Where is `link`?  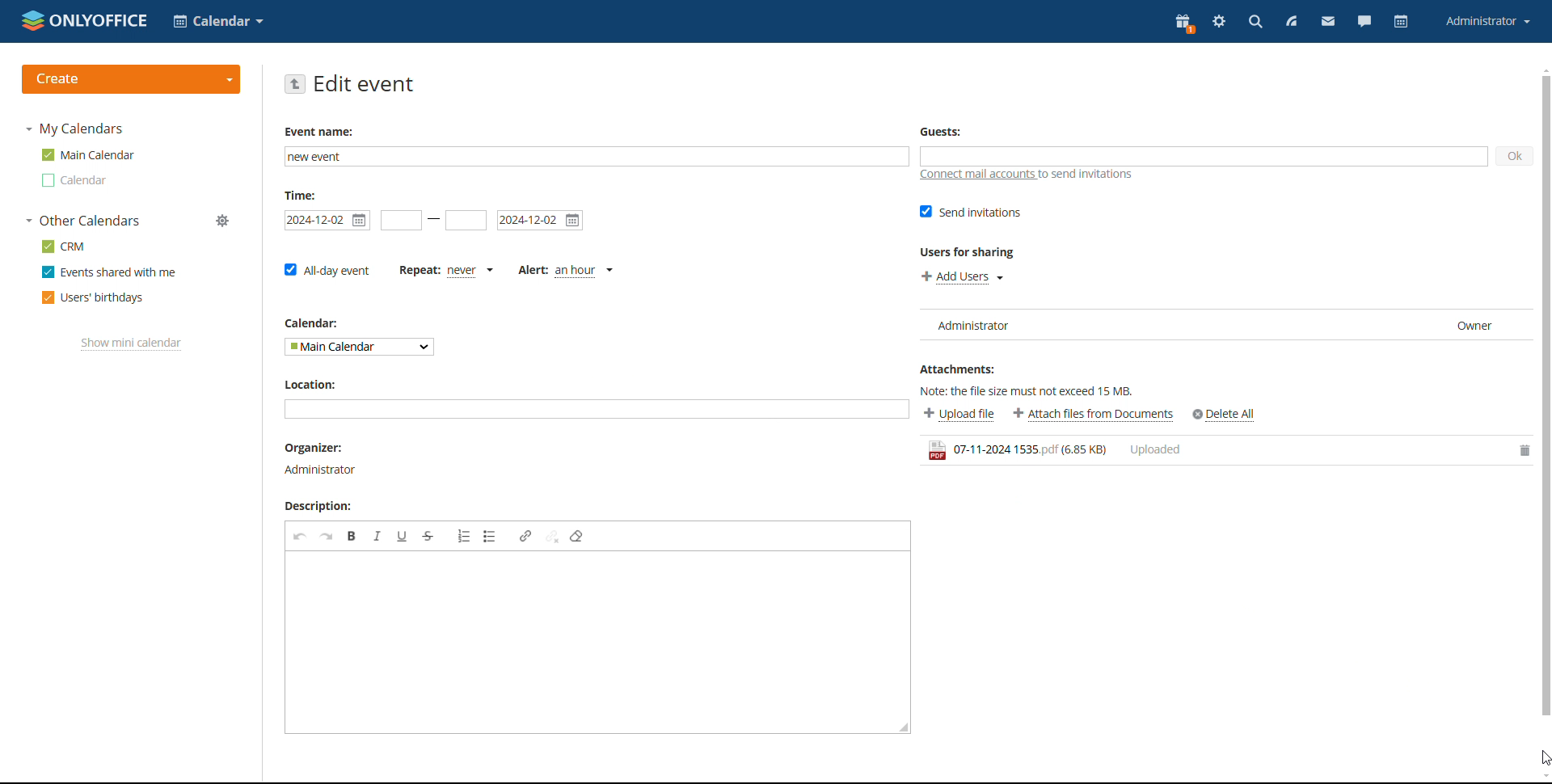
link is located at coordinates (525, 535).